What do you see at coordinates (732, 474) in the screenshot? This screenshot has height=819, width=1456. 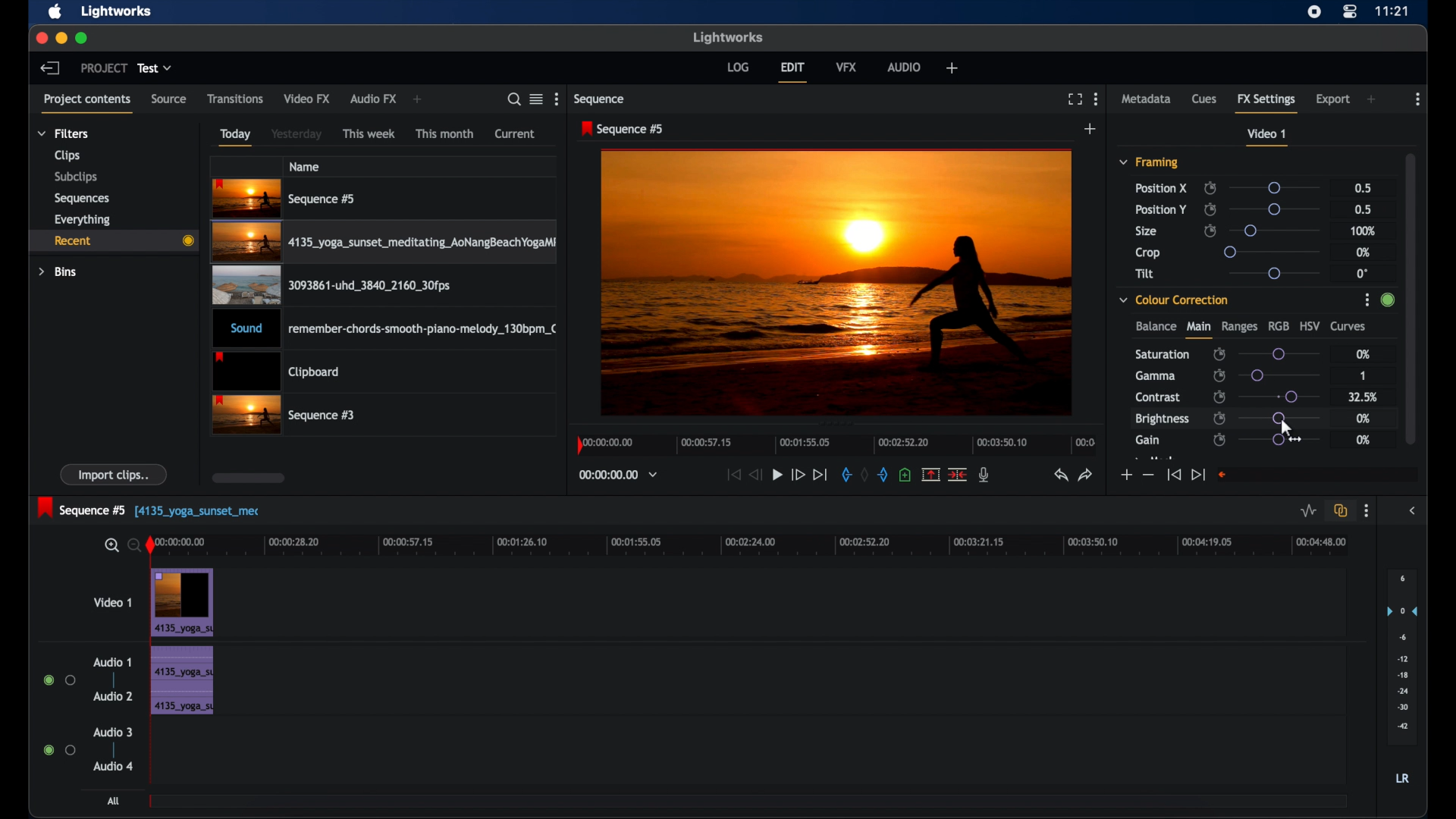 I see `jump to start` at bounding box center [732, 474].